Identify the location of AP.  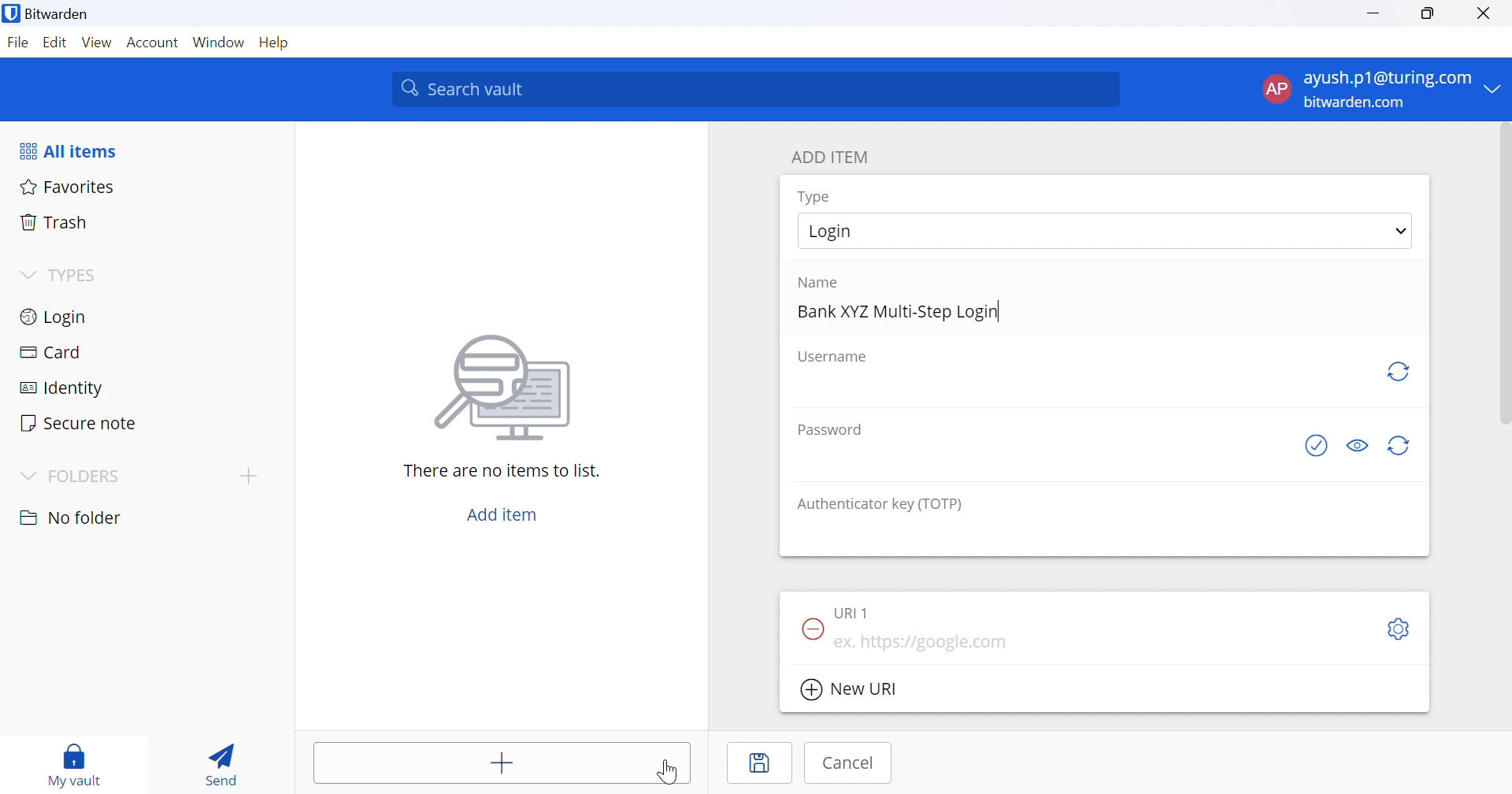
(1275, 88).